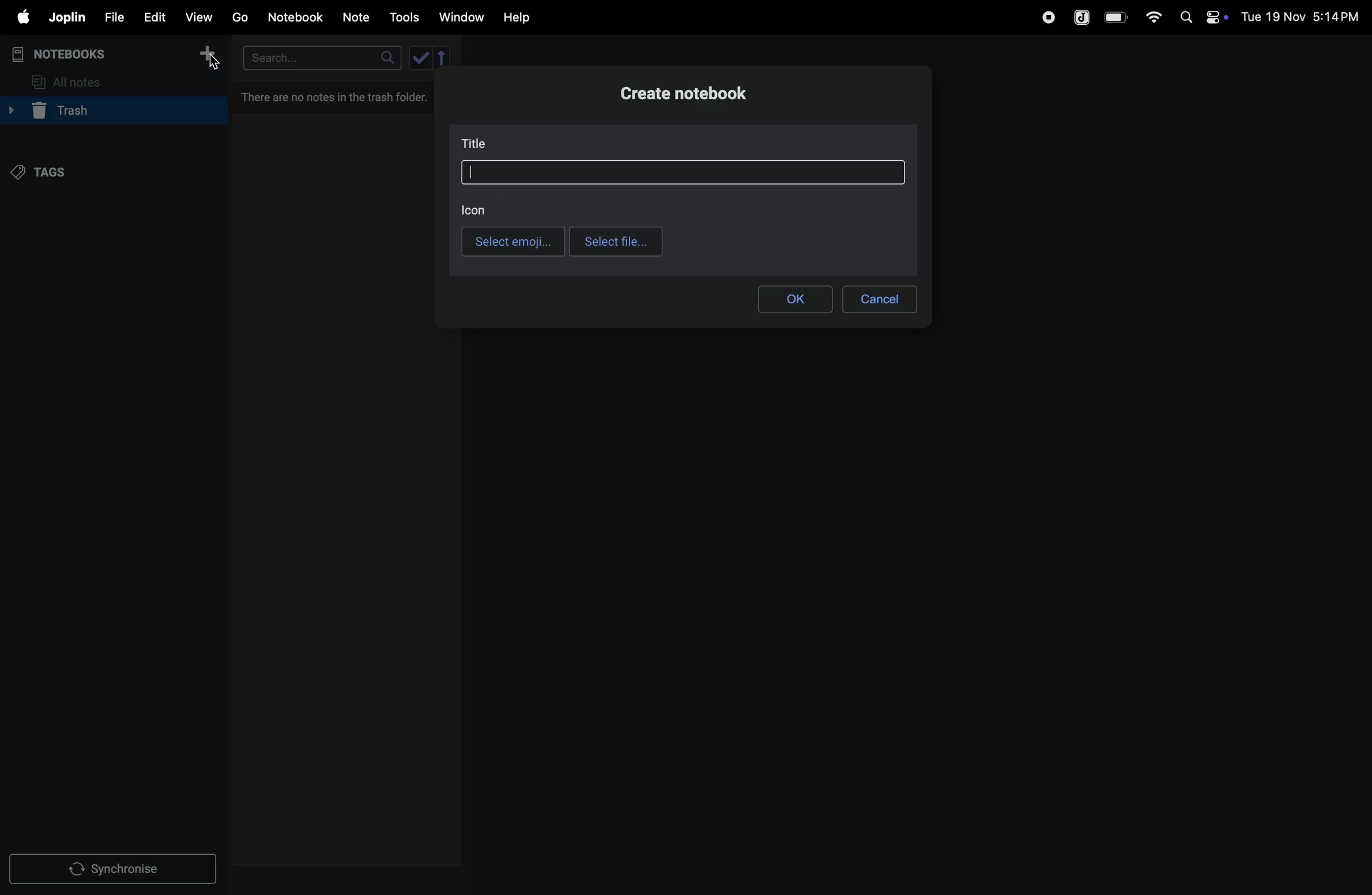 The image size is (1372, 895). I want to click on date and time, so click(1304, 16).